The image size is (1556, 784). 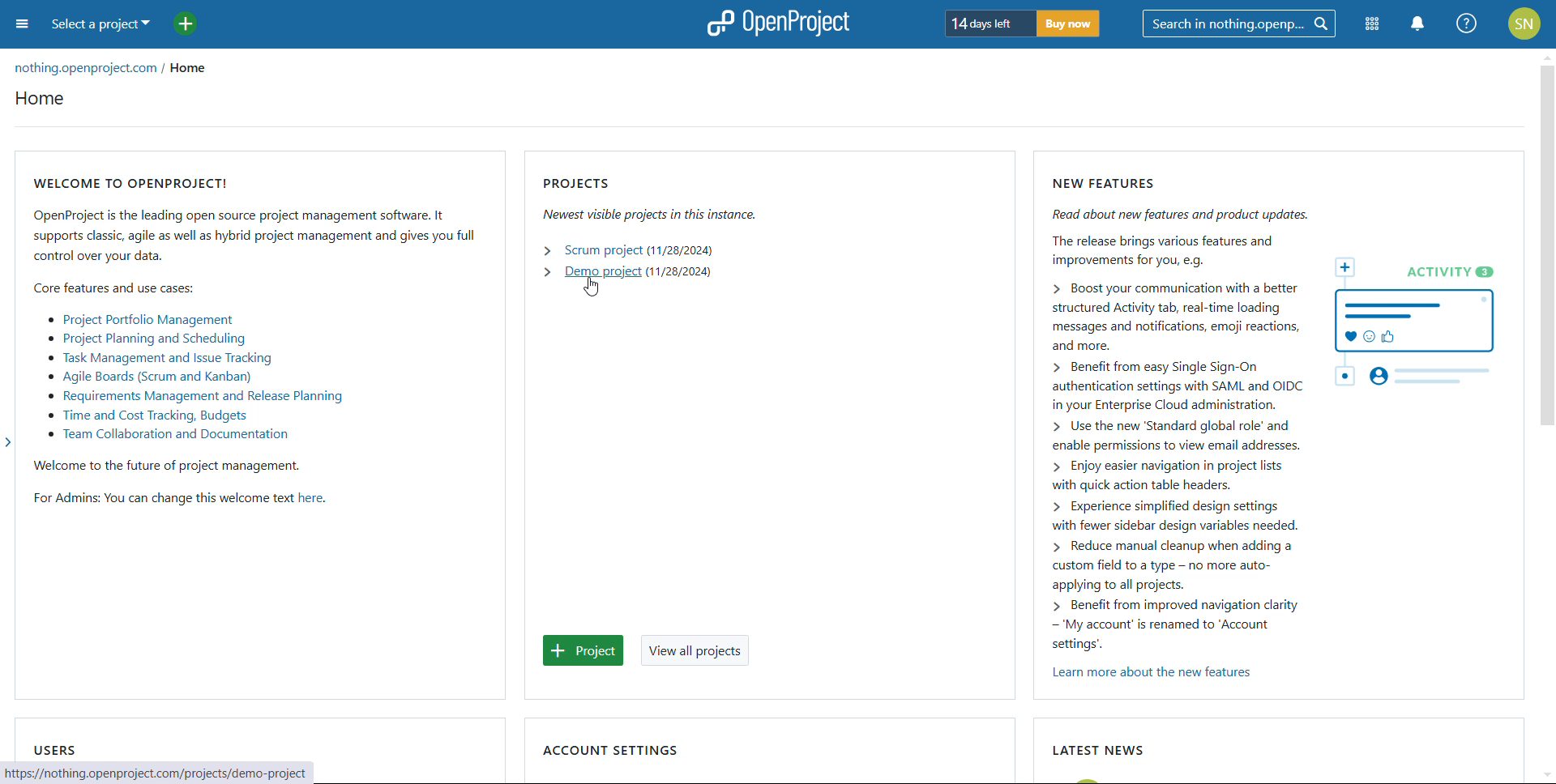 What do you see at coordinates (546, 271) in the screenshot?
I see `expand demo project` at bounding box center [546, 271].